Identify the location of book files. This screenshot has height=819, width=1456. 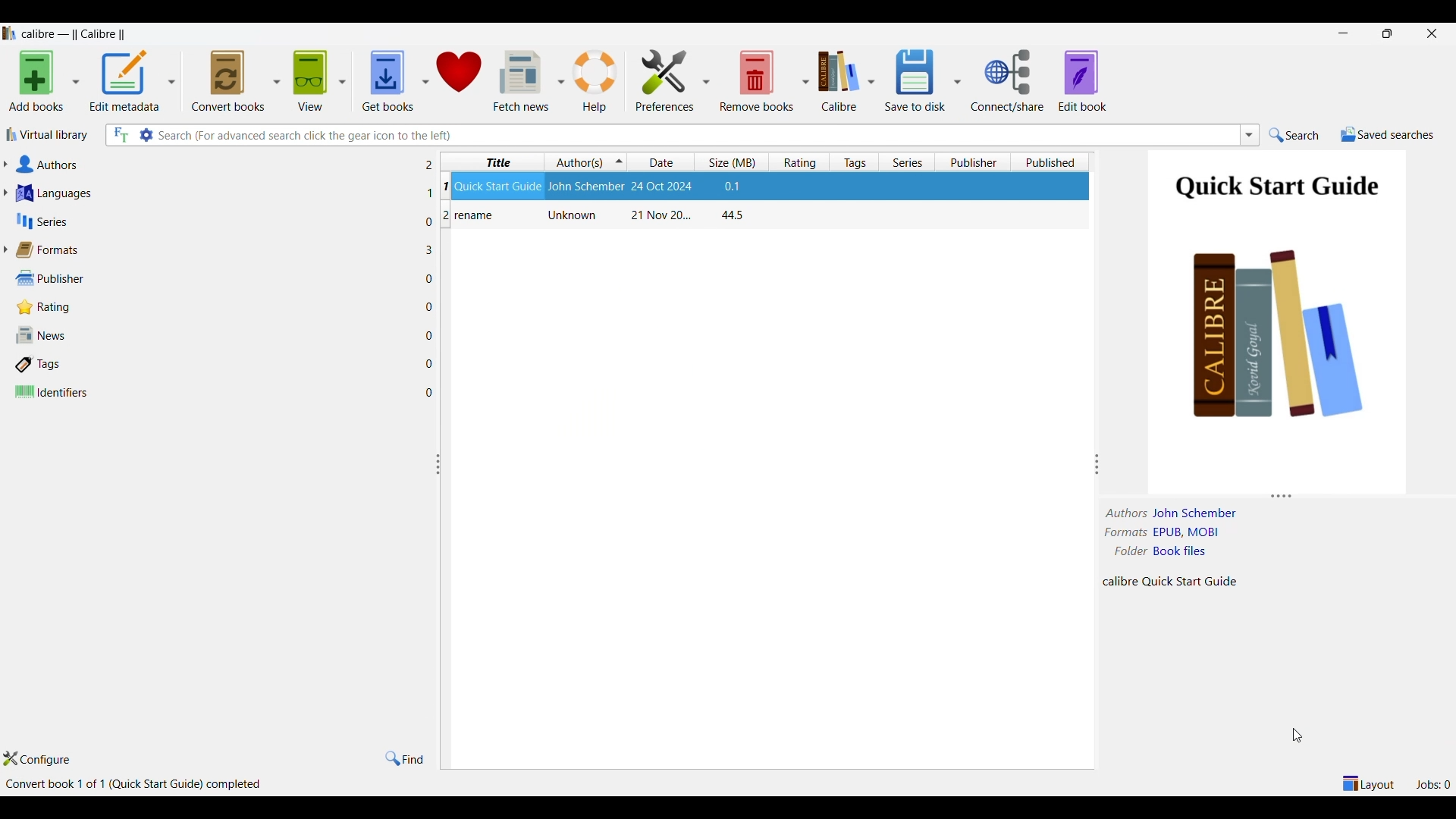
(1179, 551).